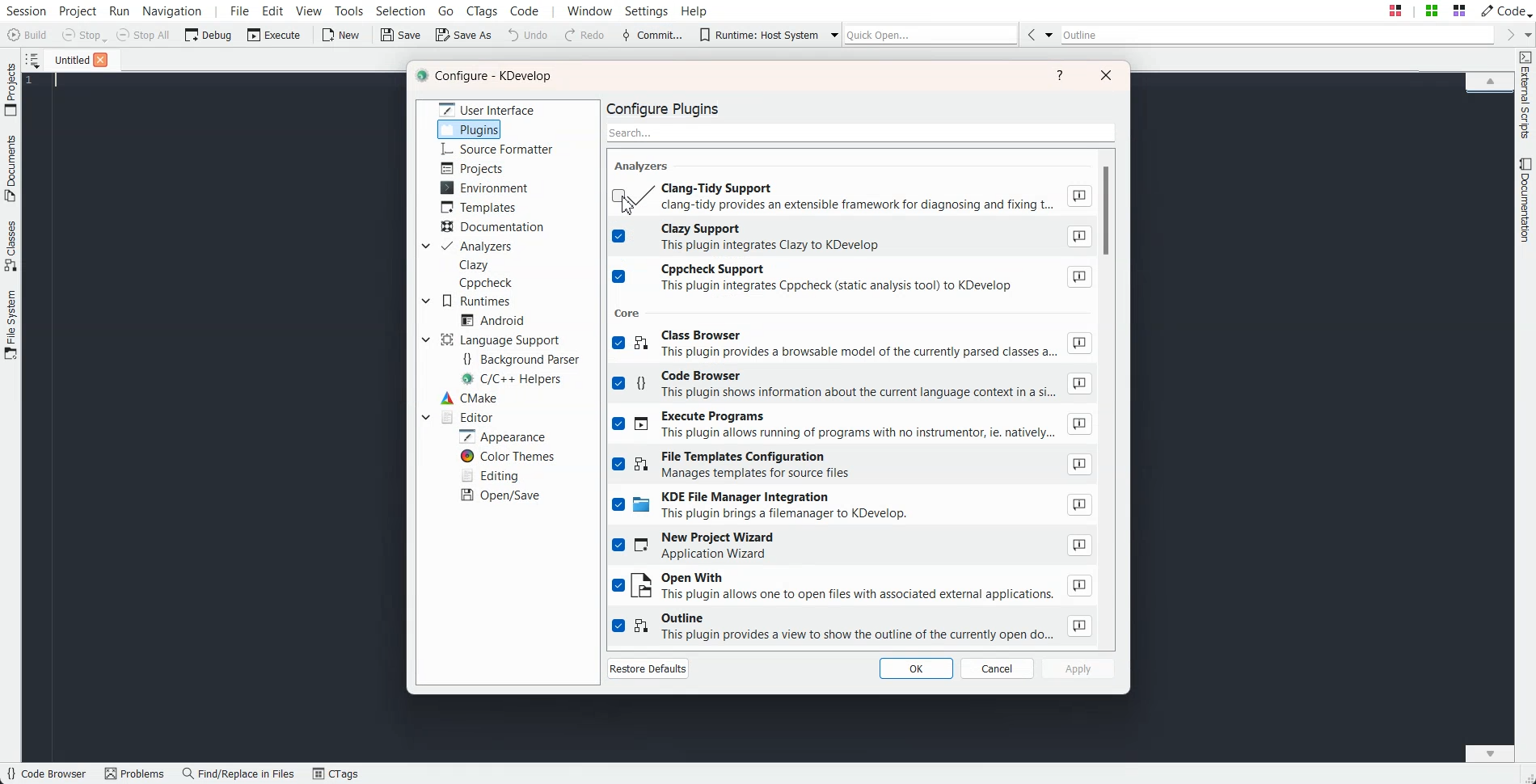 This screenshot has height=784, width=1536. Describe the element at coordinates (468, 398) in the screenshot. I see `CMake` at that location.